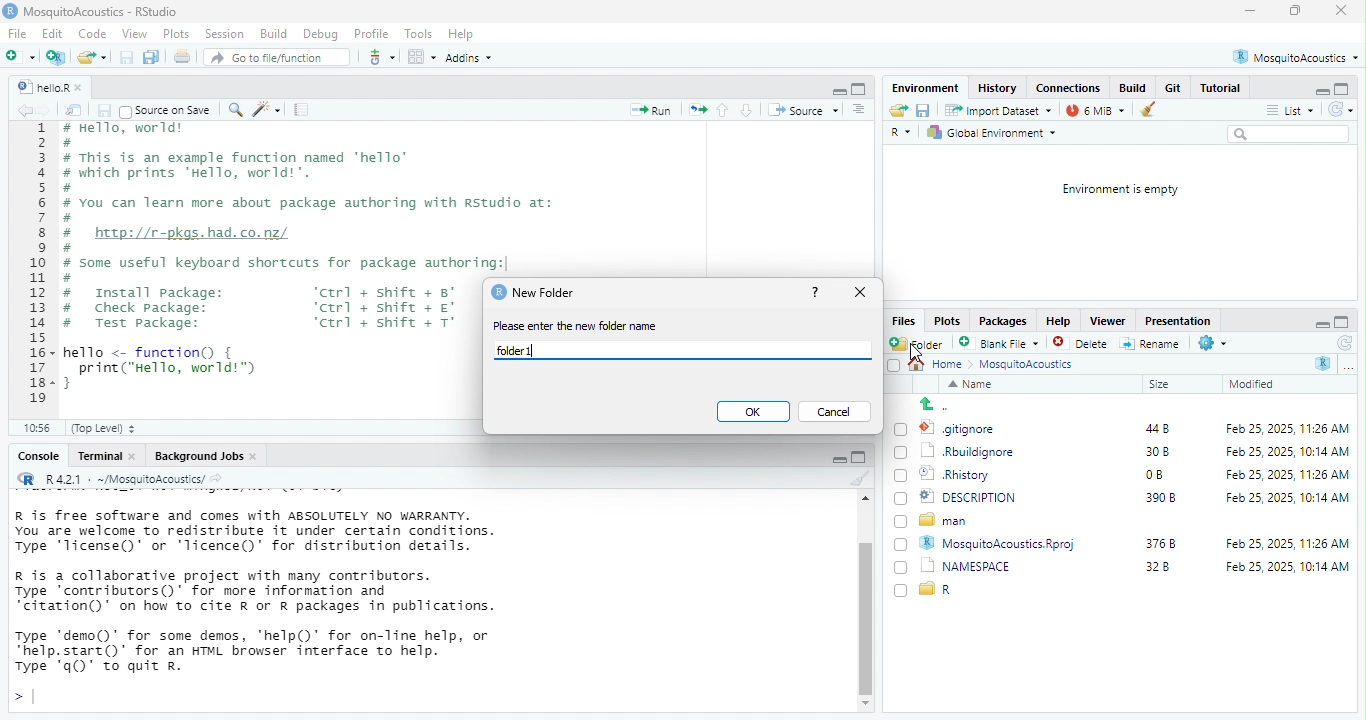 The width and height of the screenshot is (1366, 720). I want to click on checkbox, so click(900, 499).